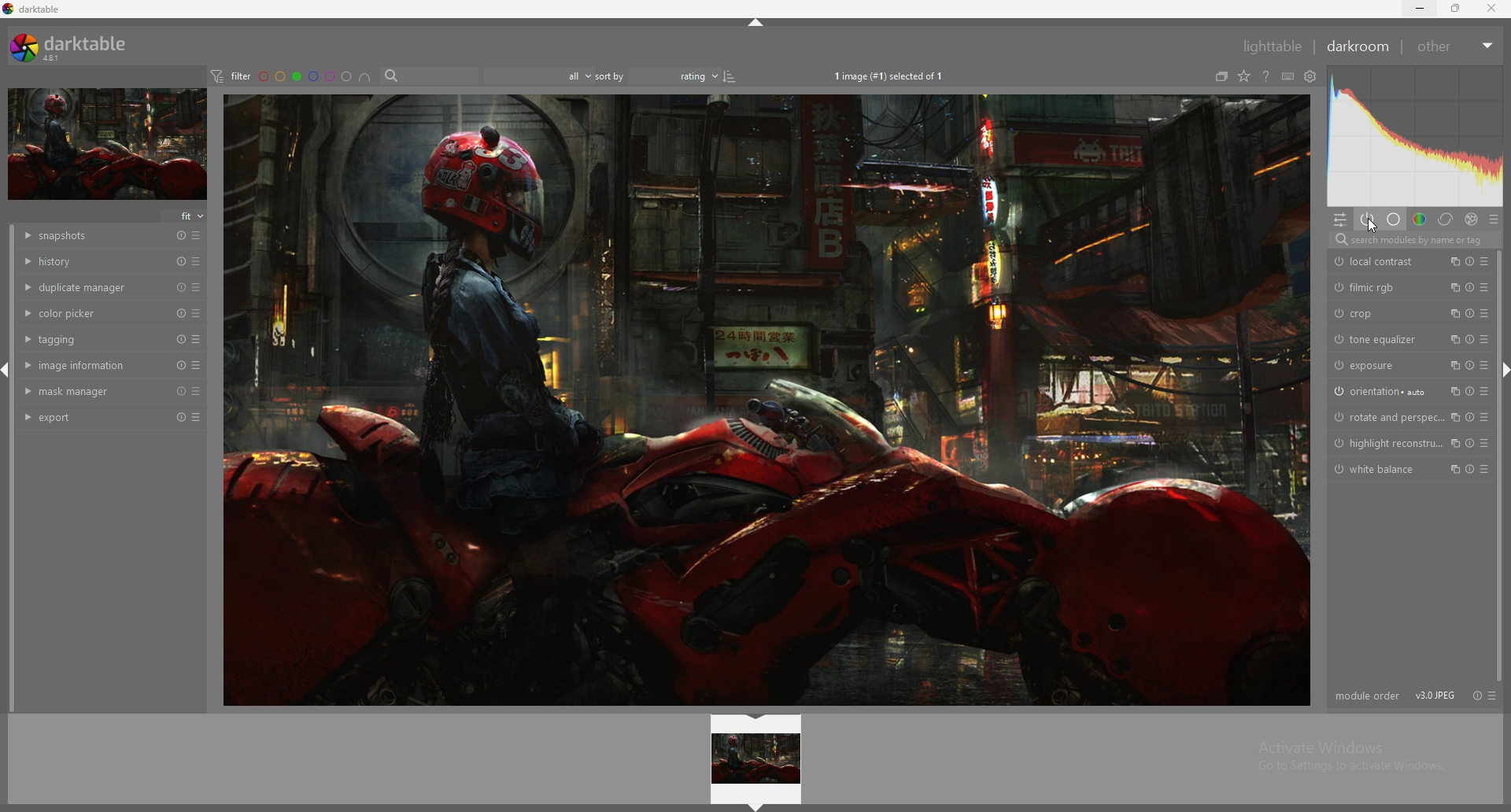  What do you see at coordinates (1310, 76) in the screenshot?
I see `see global preferences` at bounding box center [1310, 76].